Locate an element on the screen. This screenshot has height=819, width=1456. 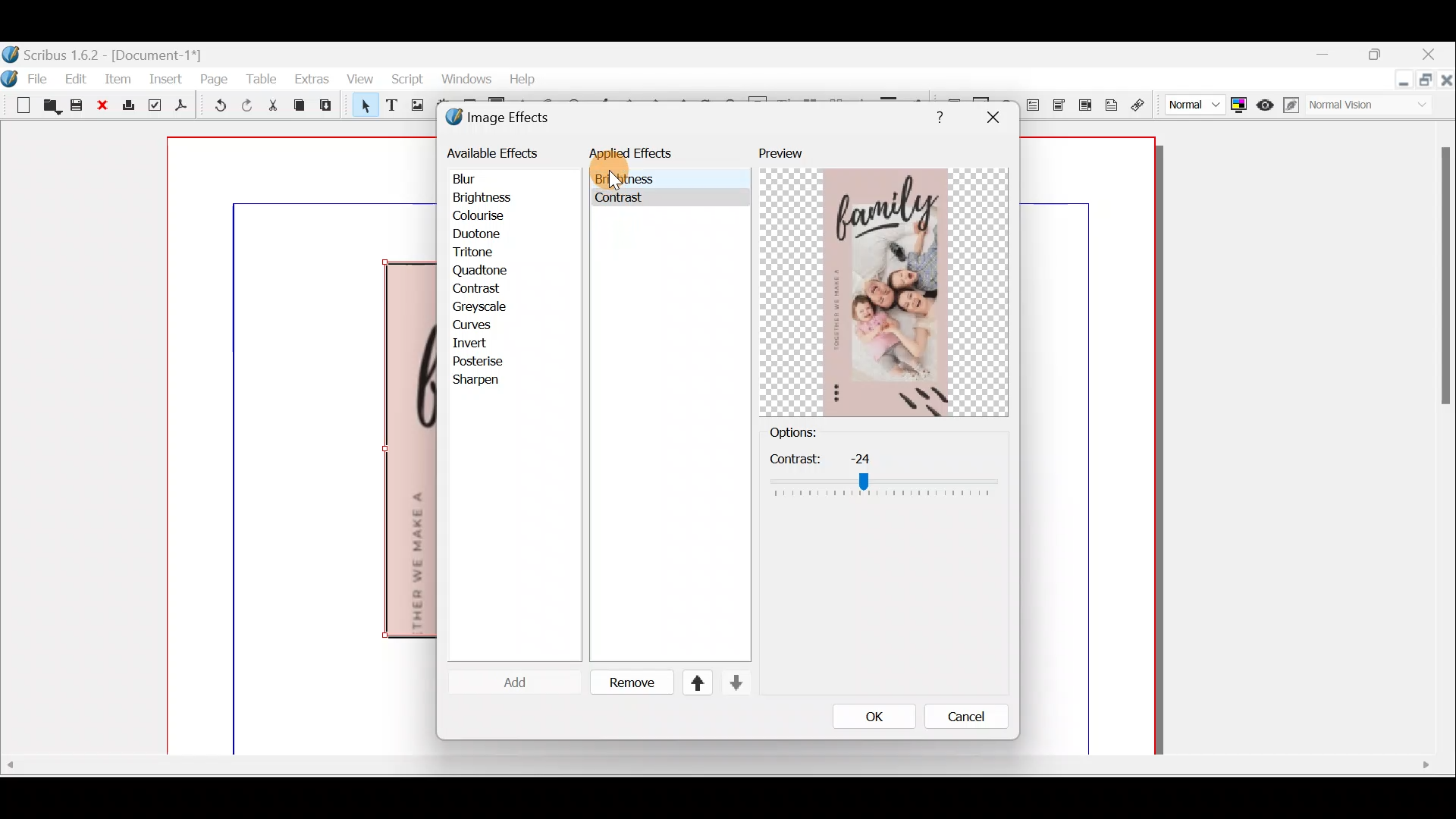
Toggle colour management system is located at coordinates (1239, 102).